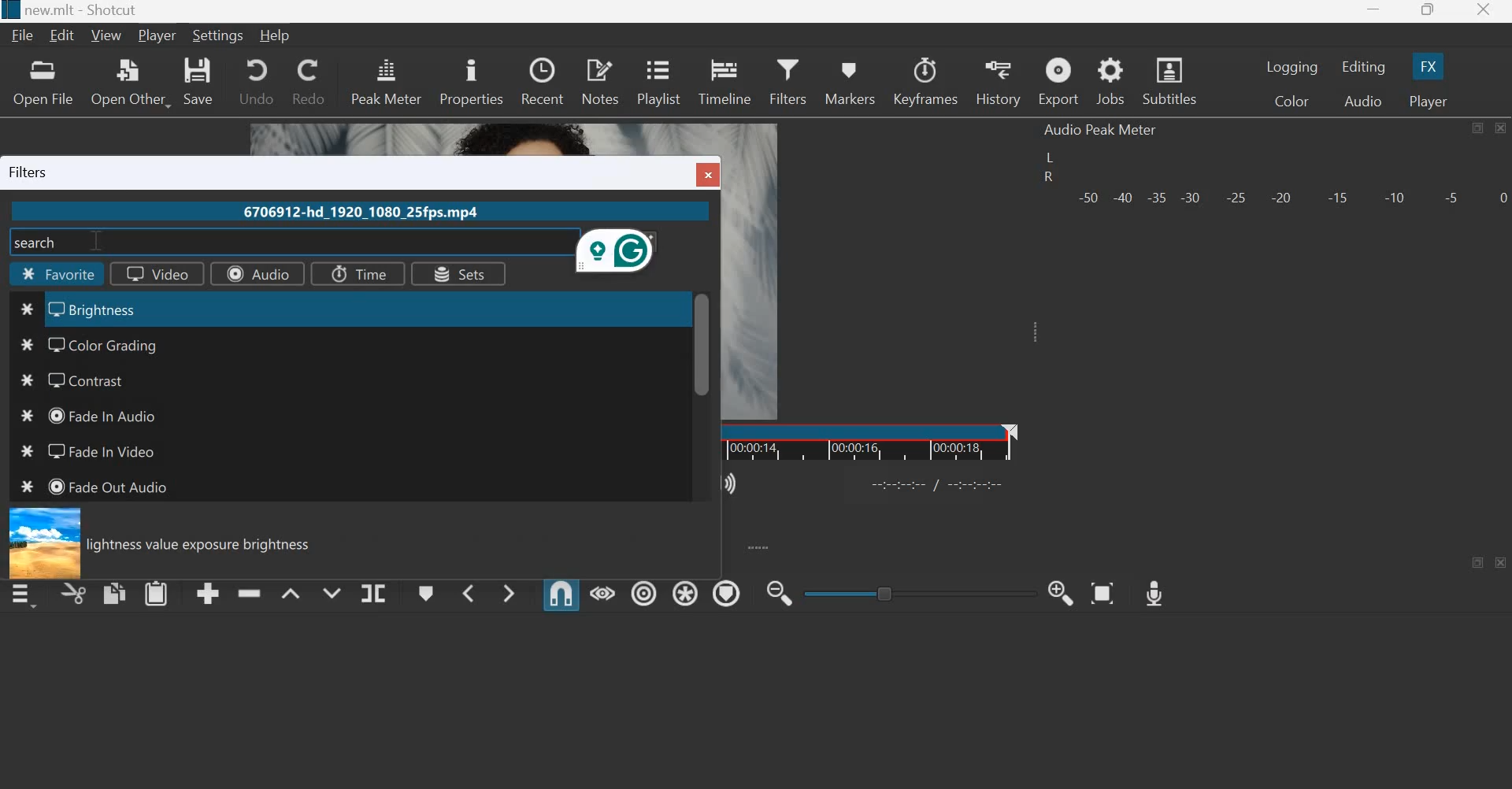  Describe the element at coordinates (1291, 195) in the screenshot. I see `Volume meter` at that location.